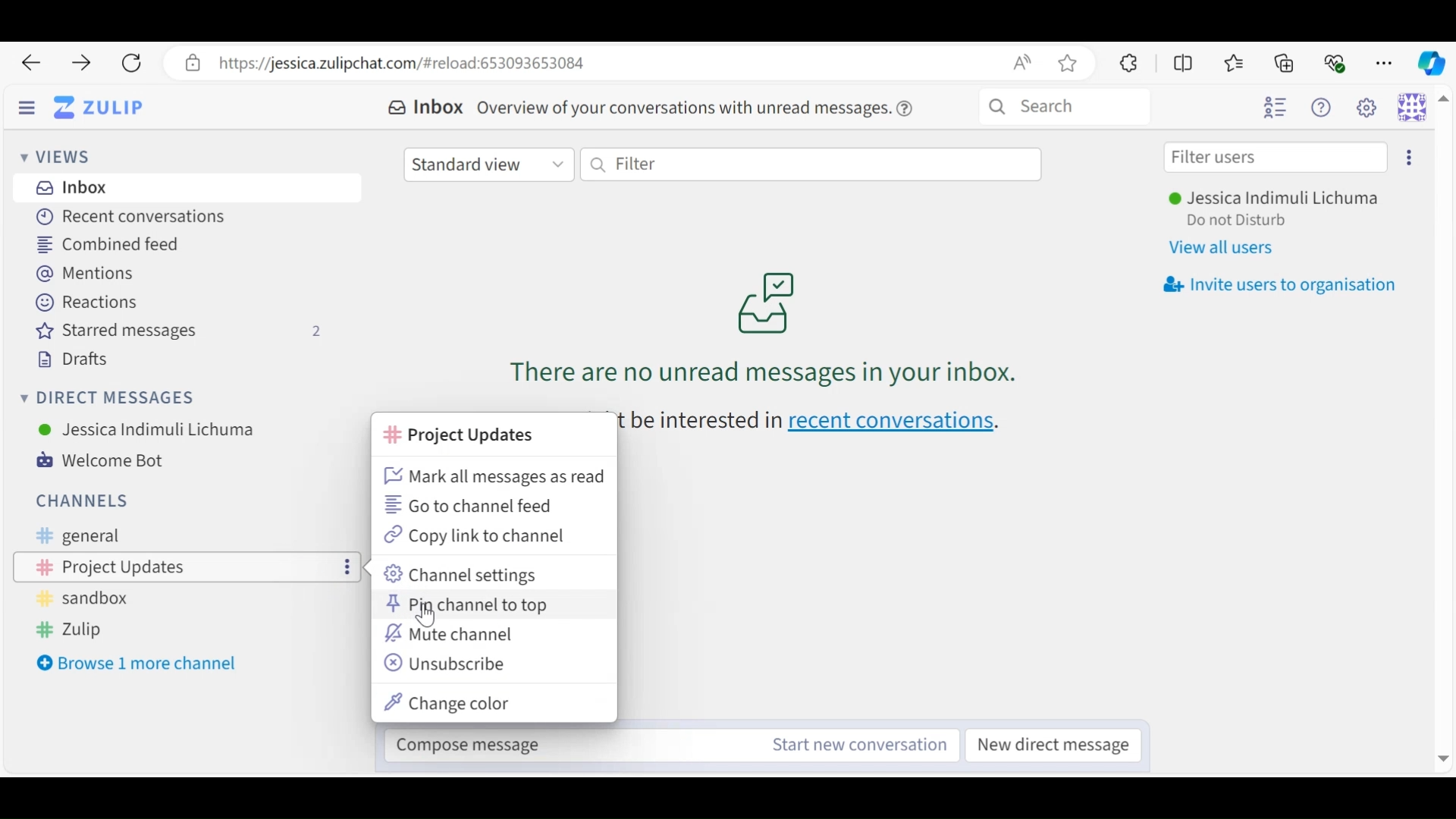 The height and width of the screenshot is (819, 1456). I want to click on Address bar, so click(629, 63).